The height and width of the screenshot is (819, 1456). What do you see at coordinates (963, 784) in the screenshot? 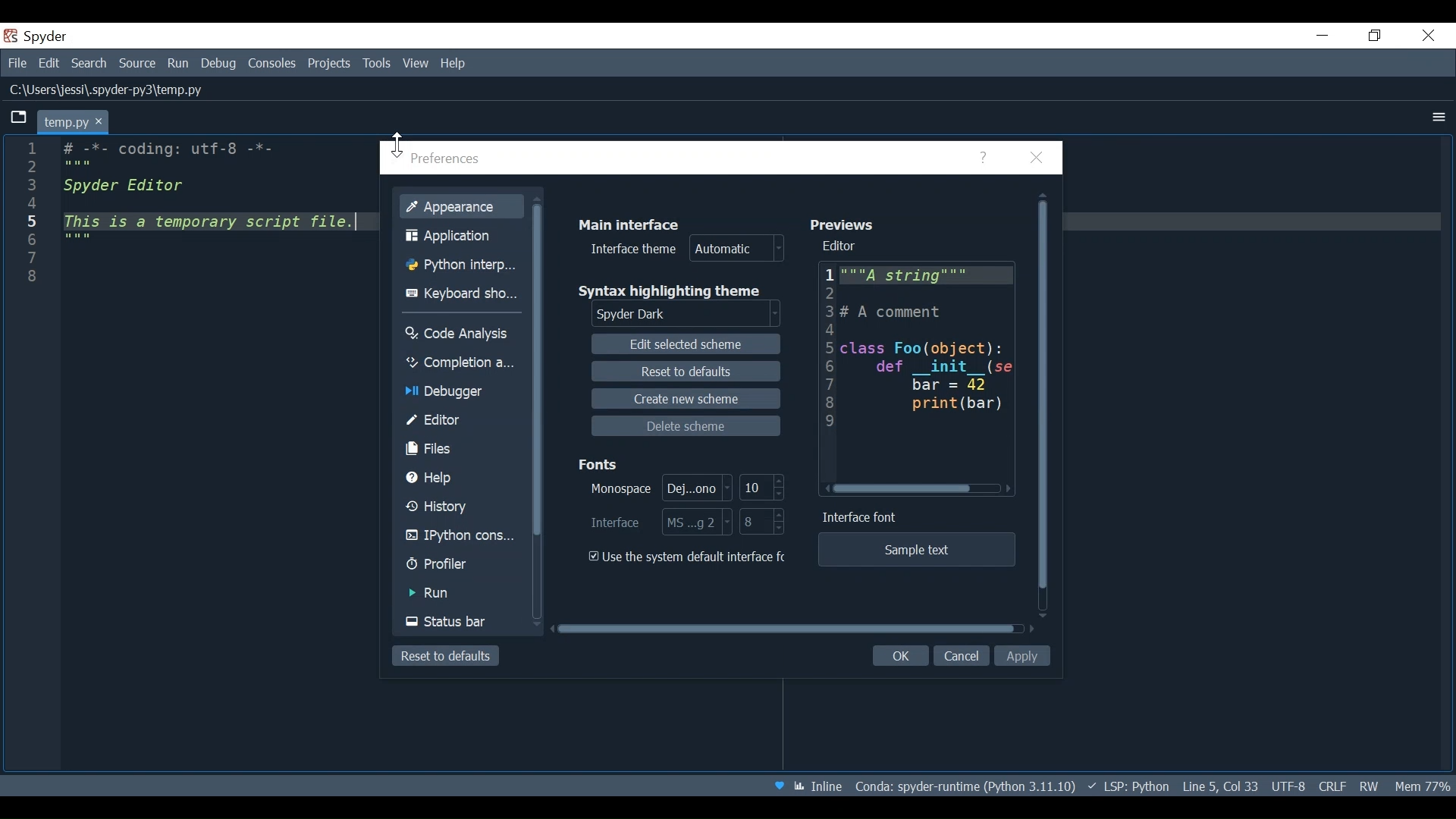
I see `File Directory` at bounding box center [963, 784].